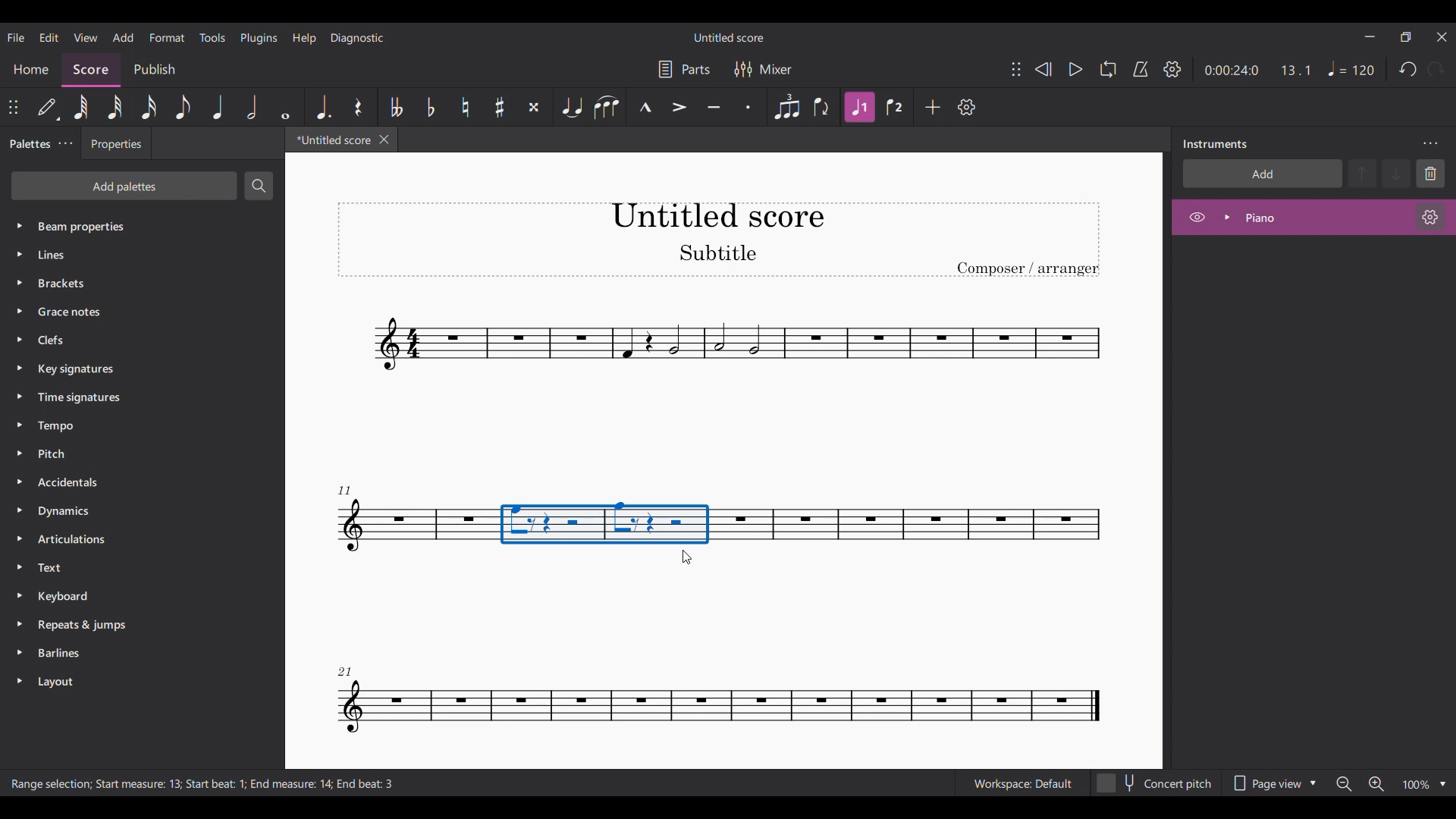 This screenshot has width=1456, height=819. Describe the element at coordinates (1016, 69) in the screenshot. I see `Change position of toolbar` at that location.